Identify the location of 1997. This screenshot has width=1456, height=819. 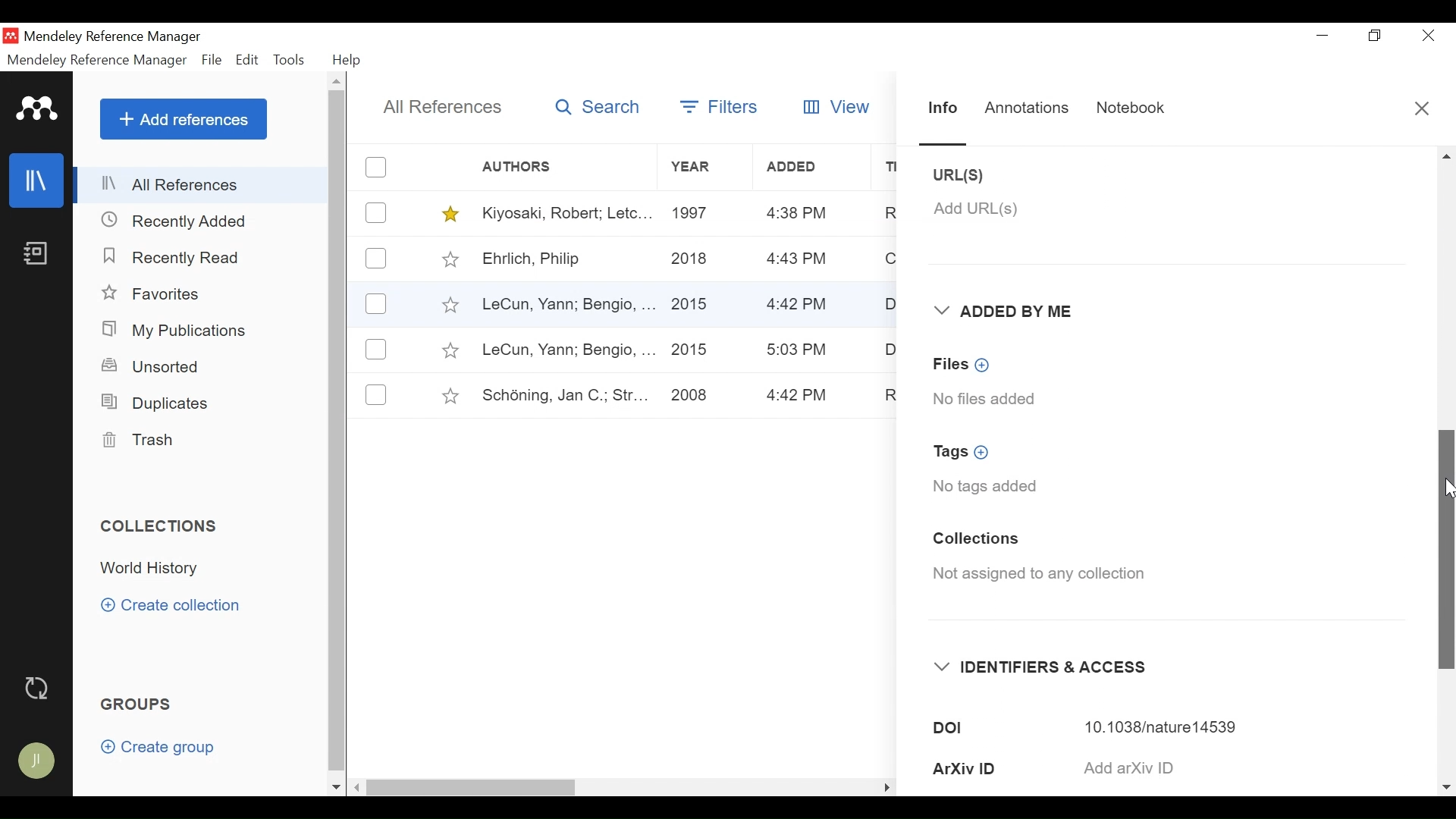
(694, 212).